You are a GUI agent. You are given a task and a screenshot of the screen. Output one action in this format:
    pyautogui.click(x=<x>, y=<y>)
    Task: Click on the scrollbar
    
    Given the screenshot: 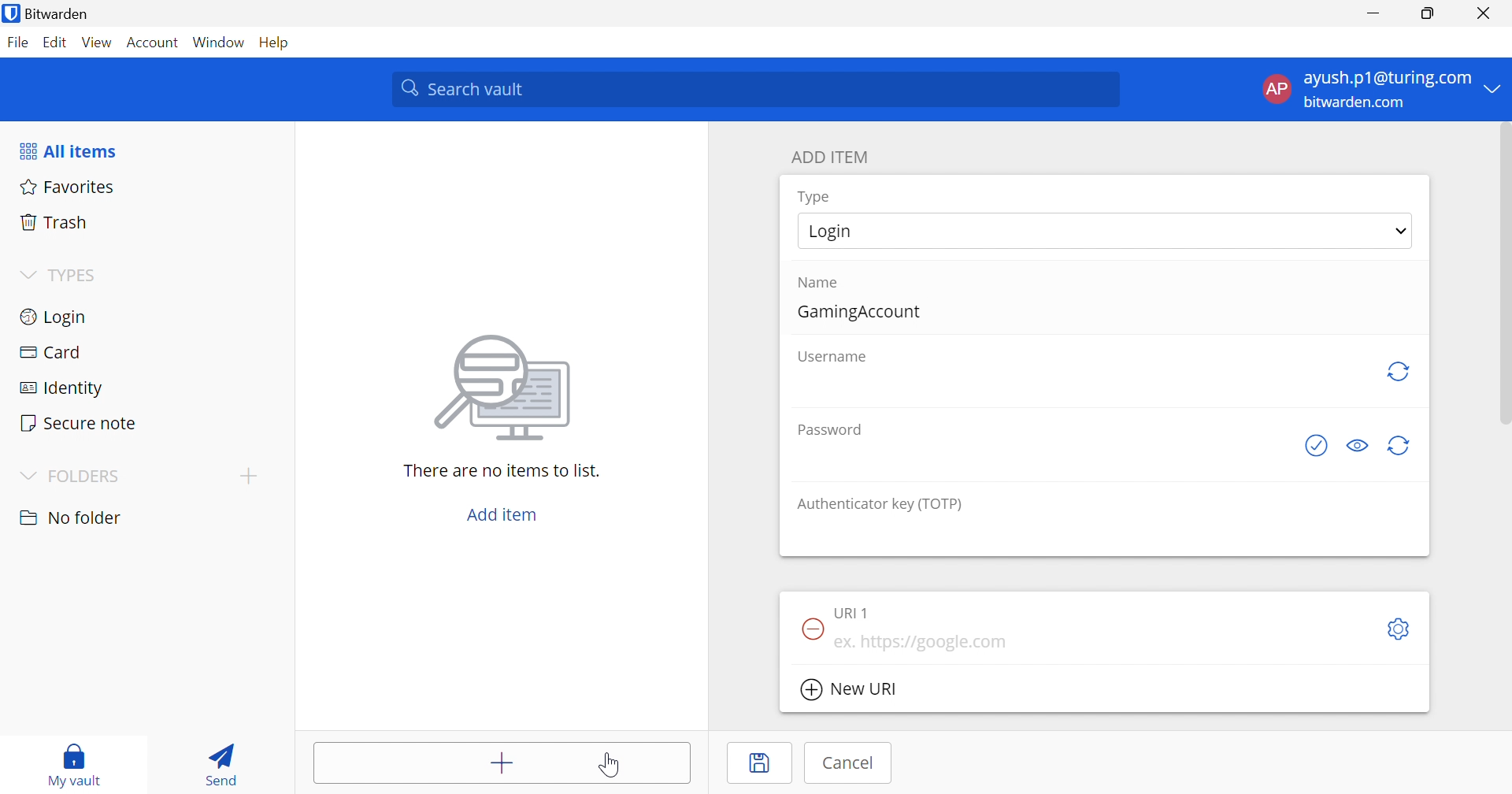 What is the action you would take?
    pyautogui.click(x=1503, y=276)
    